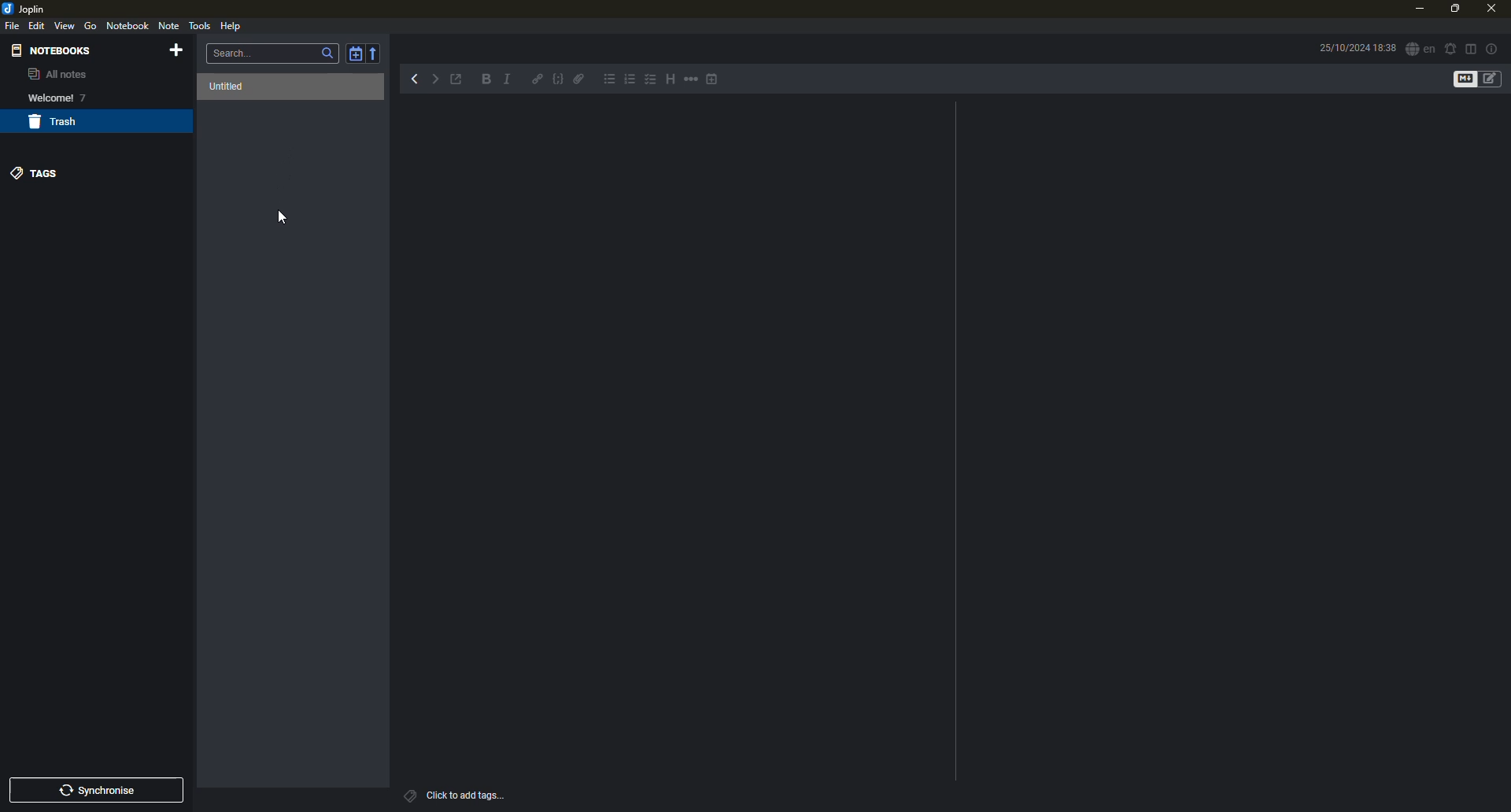 This screenshot has width=1511, height=812. Describe the element at coordinates (1450, 47) in the screenshot. I see `set alarm` at that location.